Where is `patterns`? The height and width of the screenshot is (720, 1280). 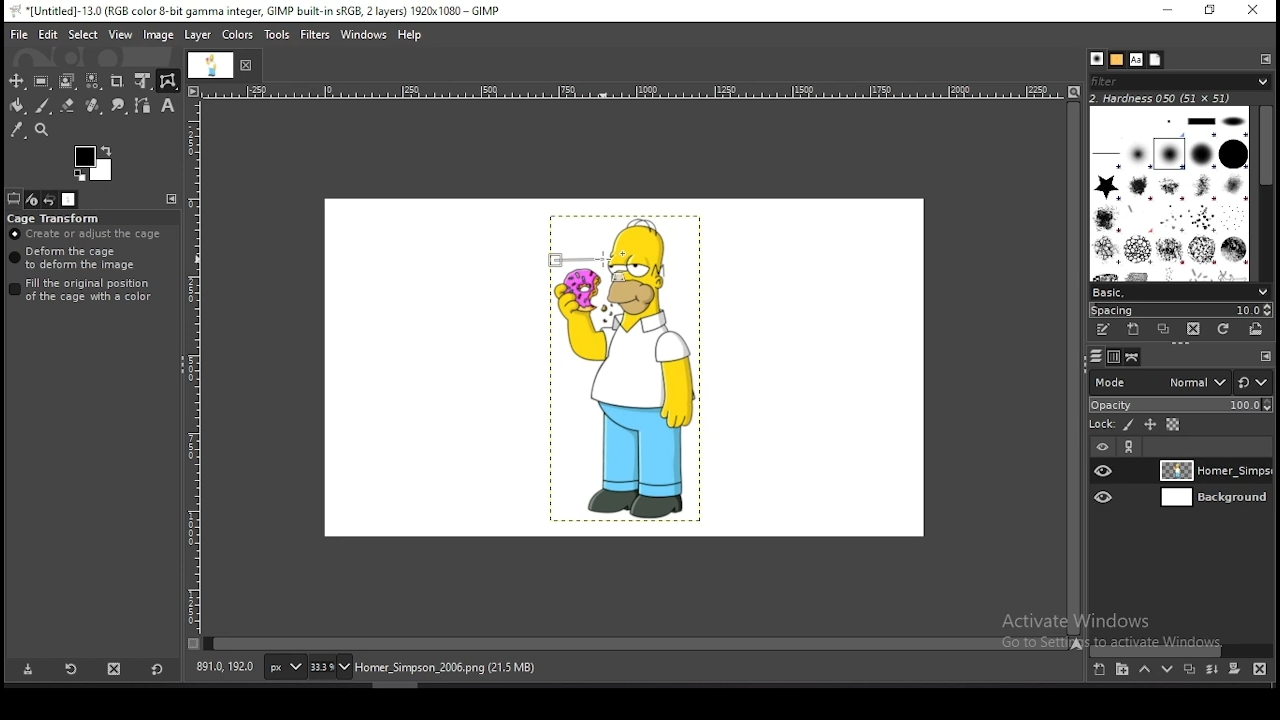 patterns is located at coordinates (1116, 60).